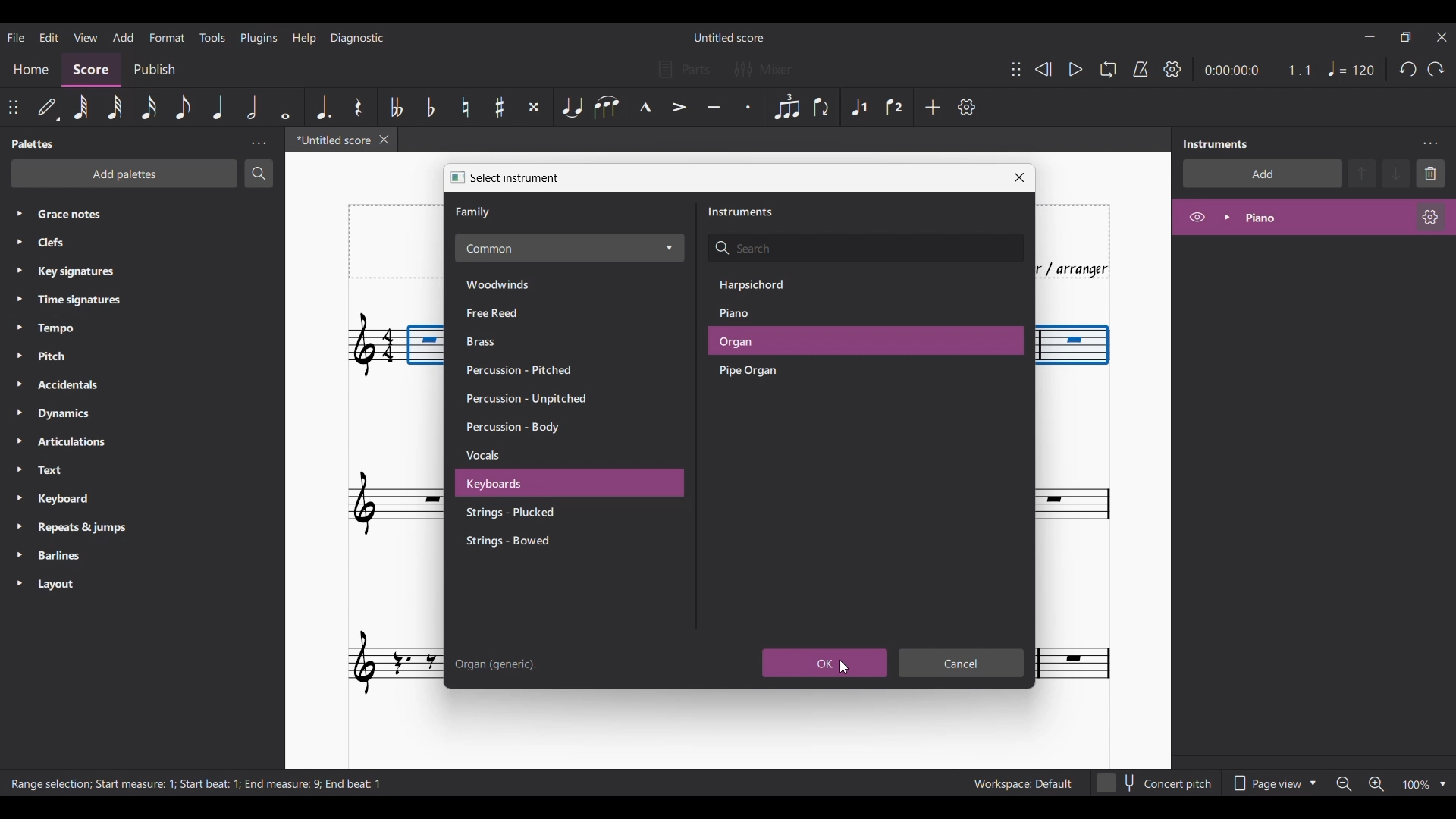  What do you see at coordinates (1141, 69) in the screenshot?
I see `Metronome` at bounding box center [1141, 69].